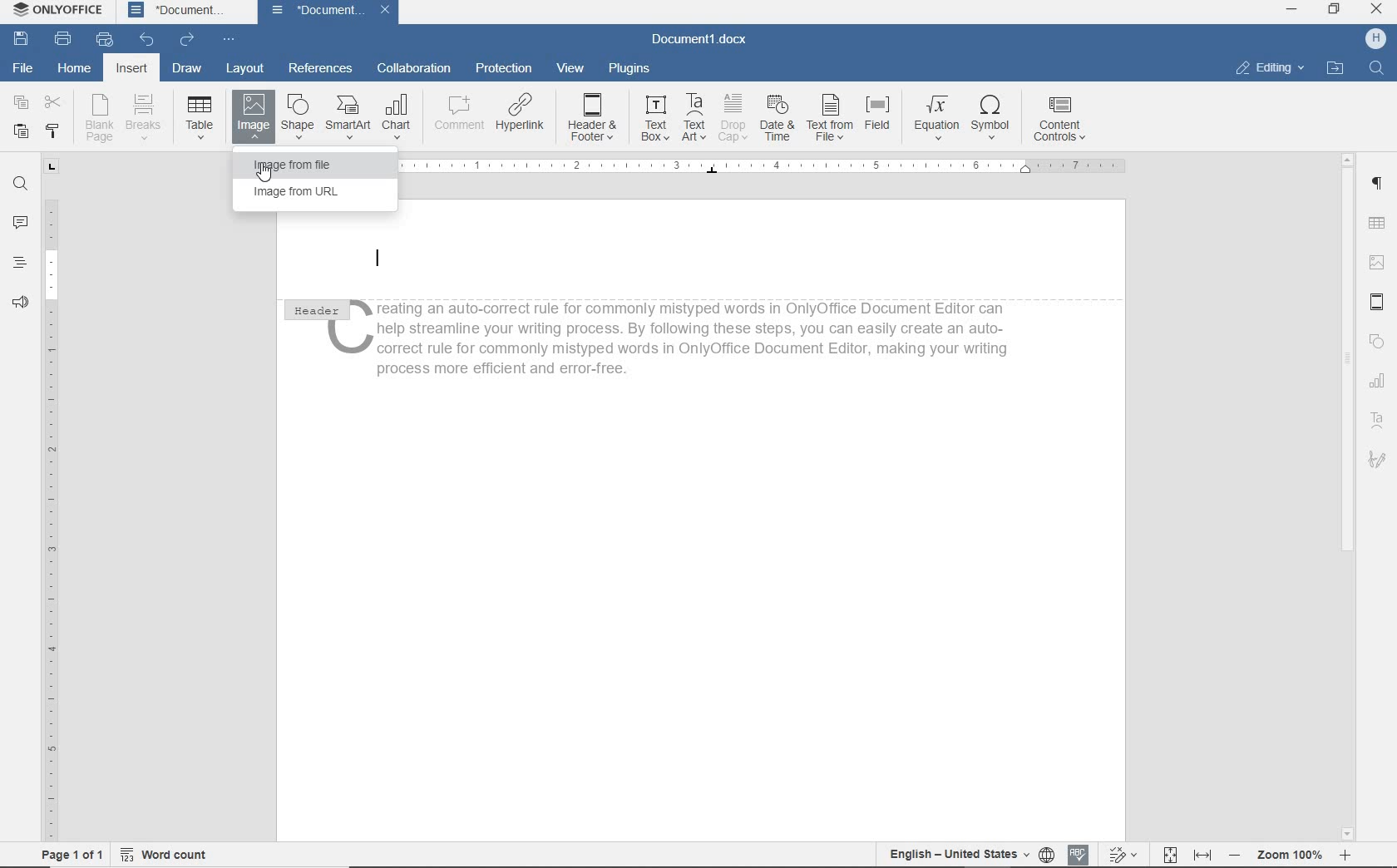 The width and height of the screenshot is (1397, 868). What do you see at coordinates (314, 308) in the screenshot?
I see `HEADER` at bounding box center [314, 308].